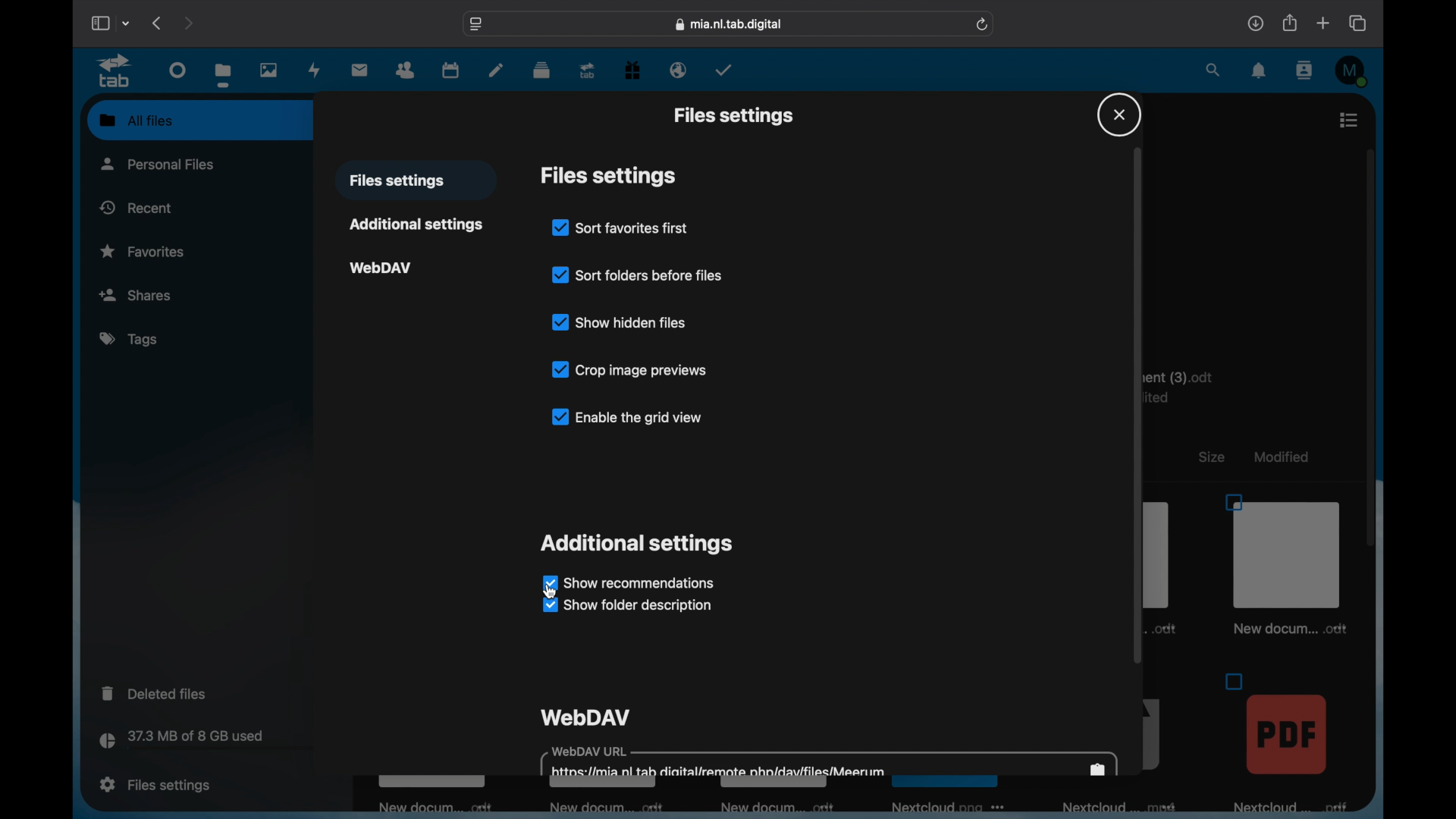 Image resolution: width=1456 pixels, height=819 pixels. I want to click on personal files, so click(159, 163).